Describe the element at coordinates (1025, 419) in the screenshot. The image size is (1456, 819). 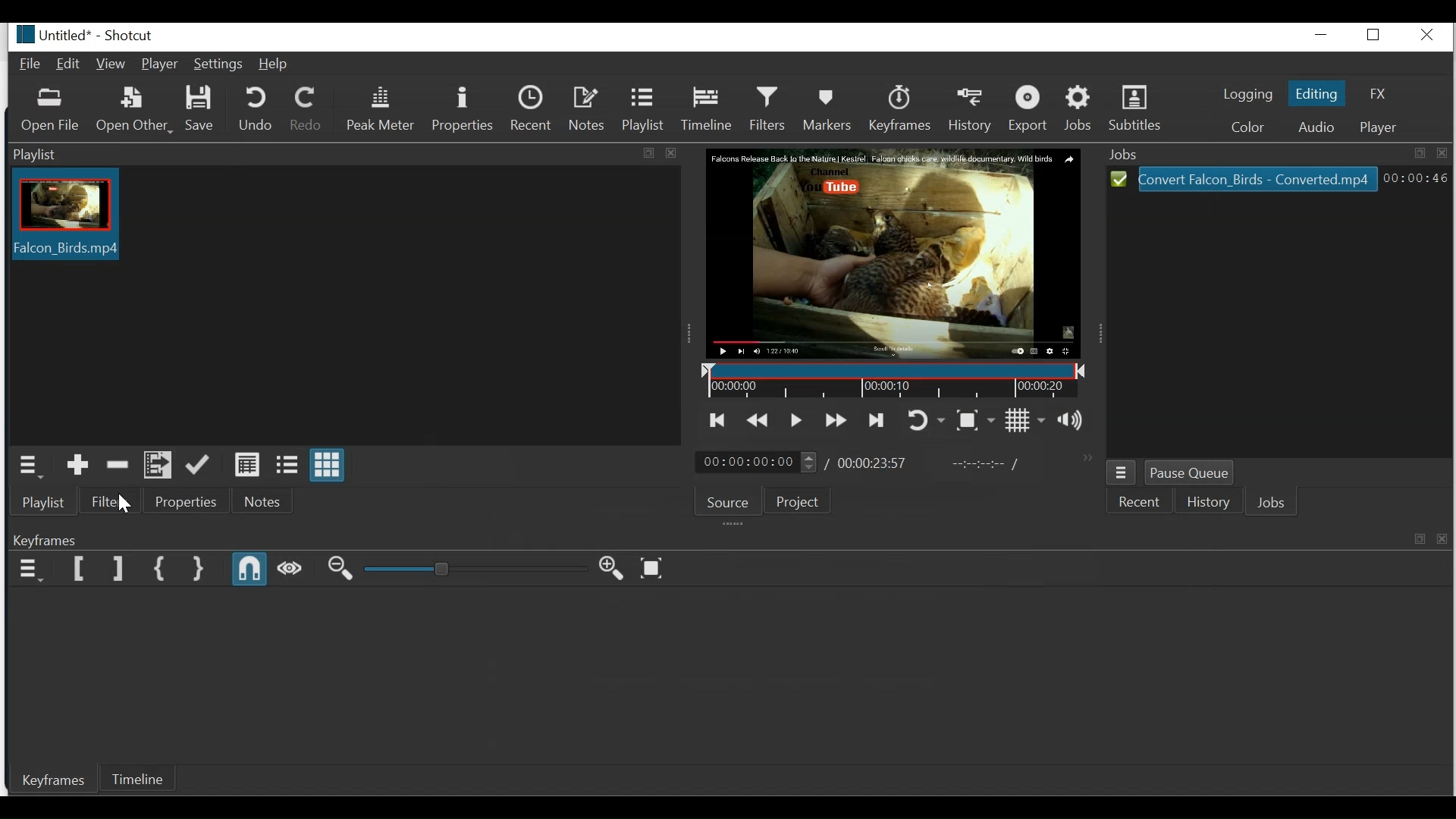
I see `Toggle grid display on the player` at that location.